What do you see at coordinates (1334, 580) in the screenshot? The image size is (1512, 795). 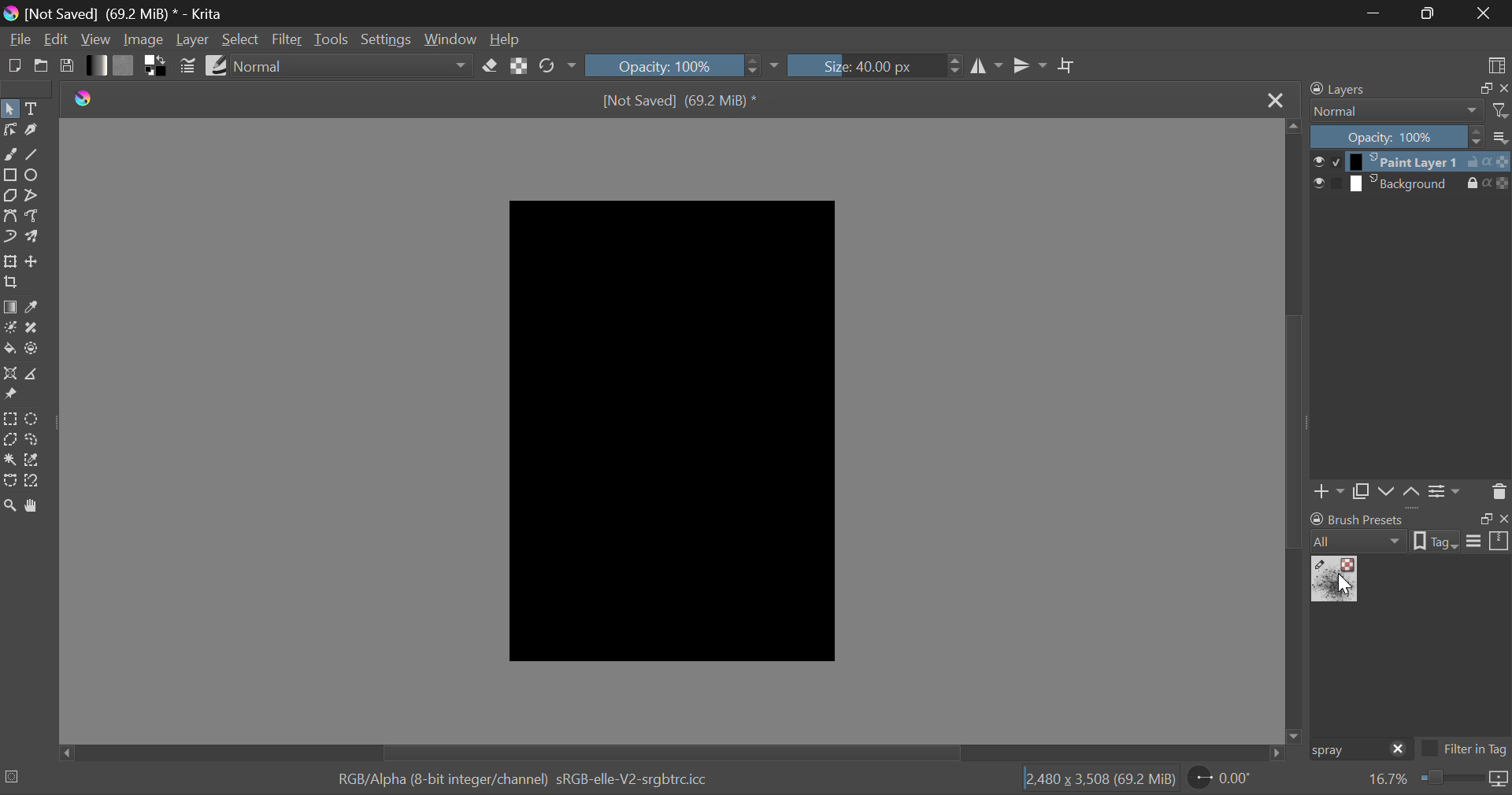 I see `Spray Brush Preset` at bounding box center [1334, 580].